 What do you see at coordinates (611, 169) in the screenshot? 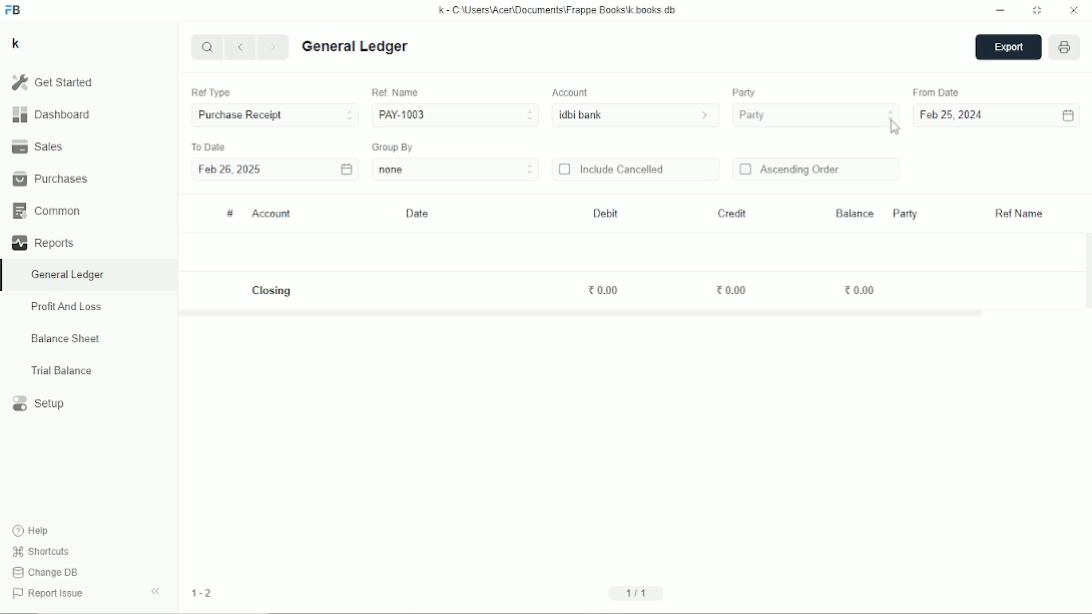
I see `Include cancelled` at bounding box center [611, 169].